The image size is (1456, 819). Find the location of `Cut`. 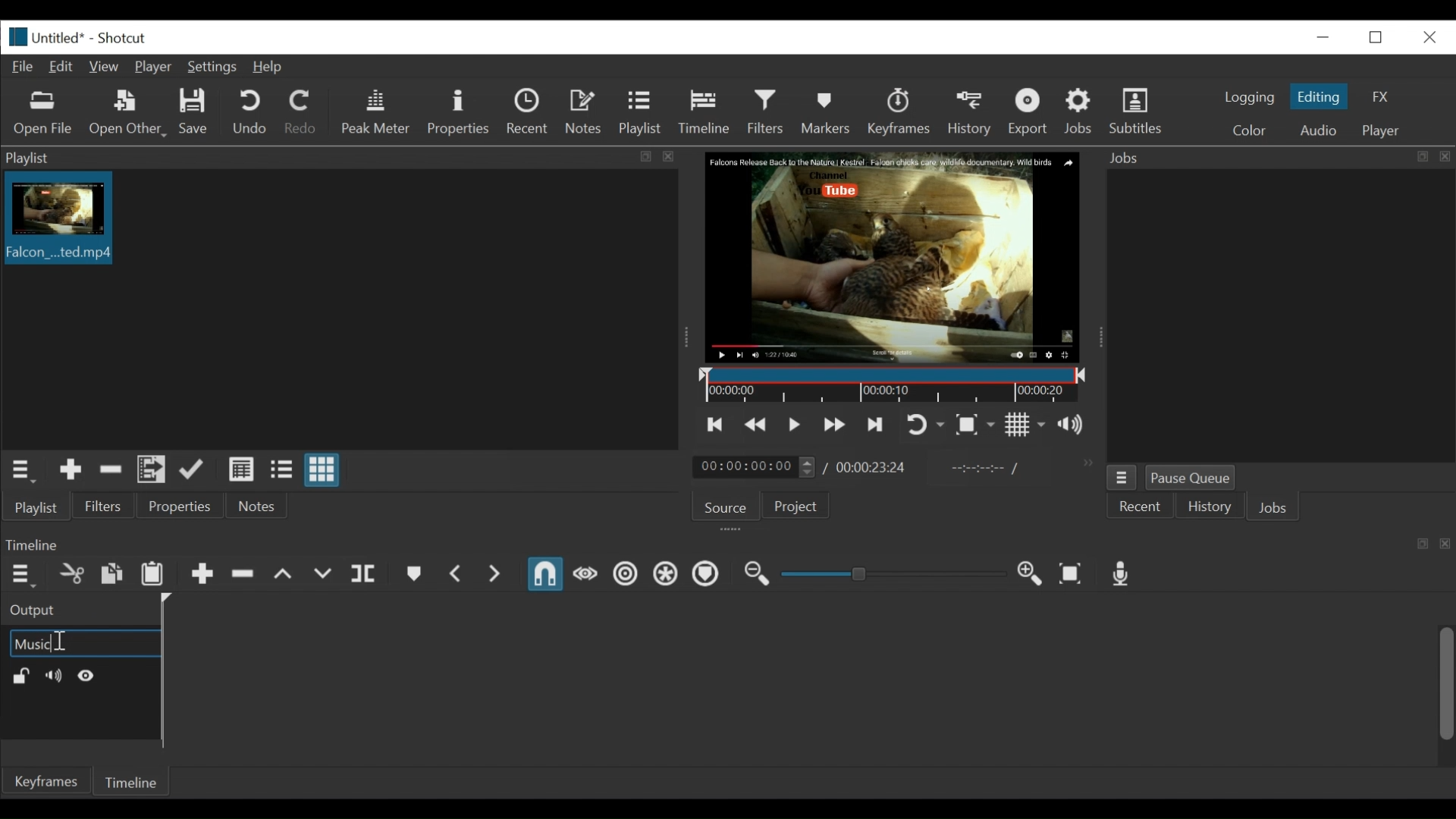

Cut is located at coordinates (71, 575).